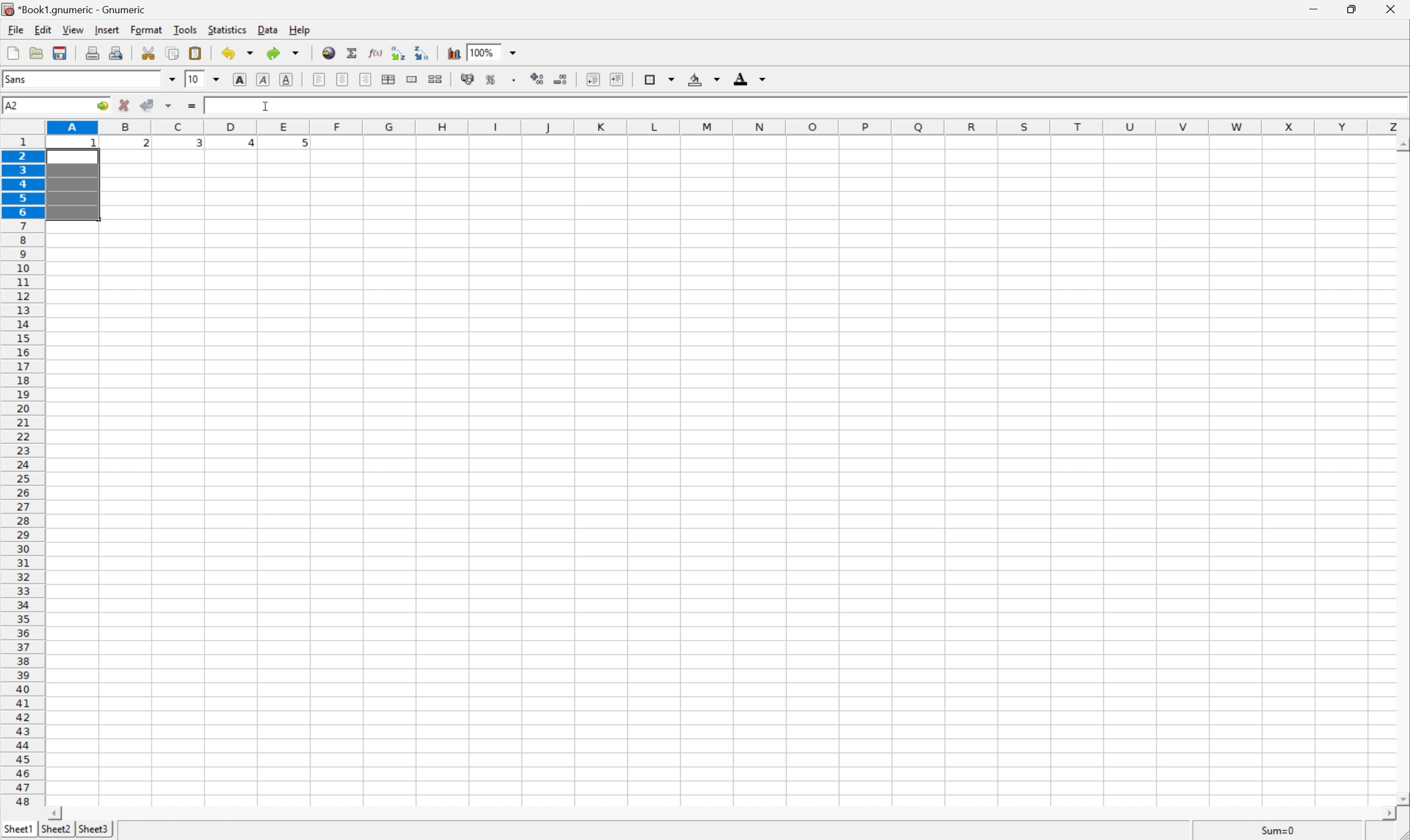 The image size is (1410, 840). Describe the element at coordinates (95, 144) in the screenshot. I see `1` at that location.